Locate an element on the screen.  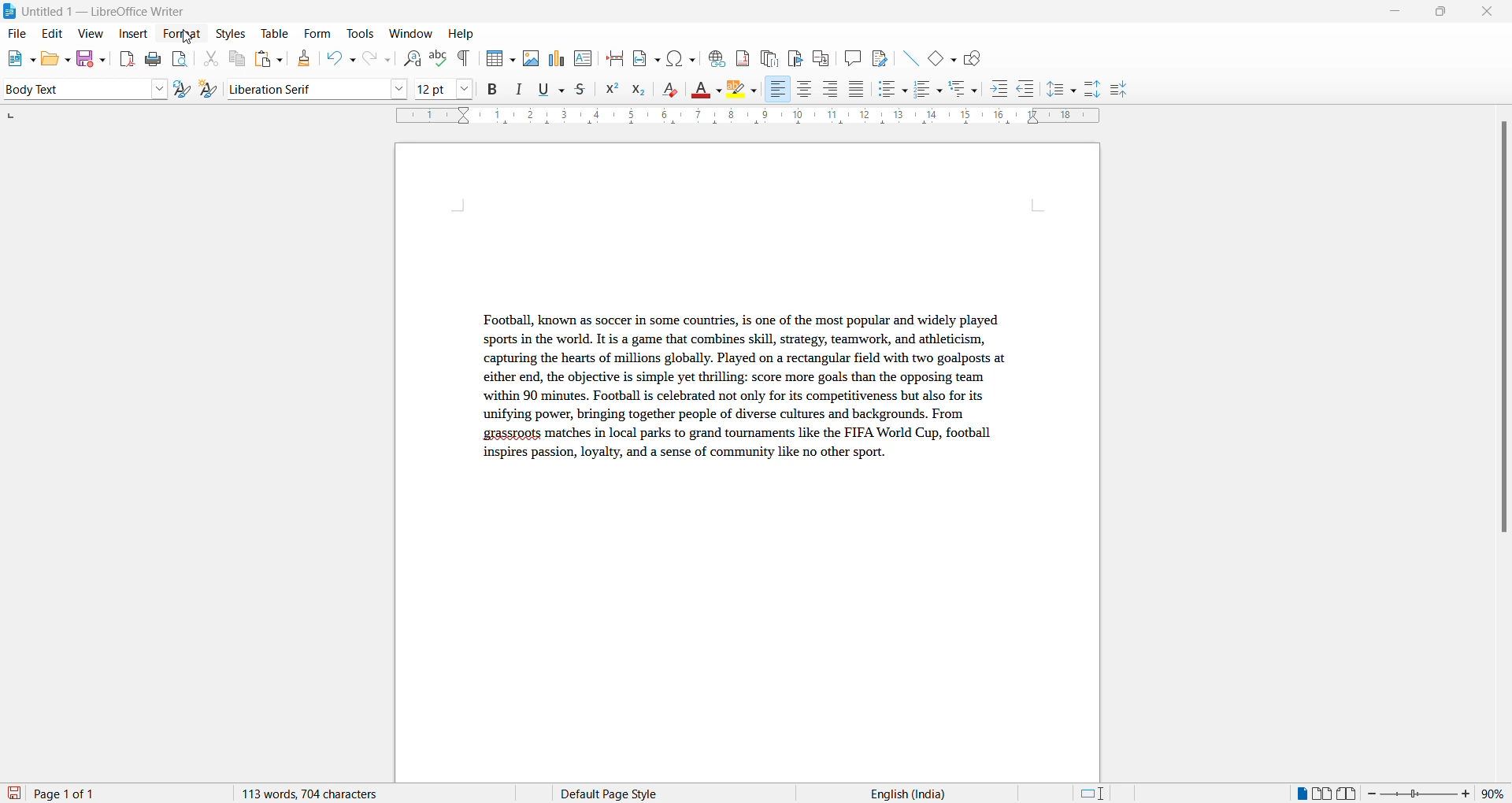
font name options is located at coordinates (399, 88).